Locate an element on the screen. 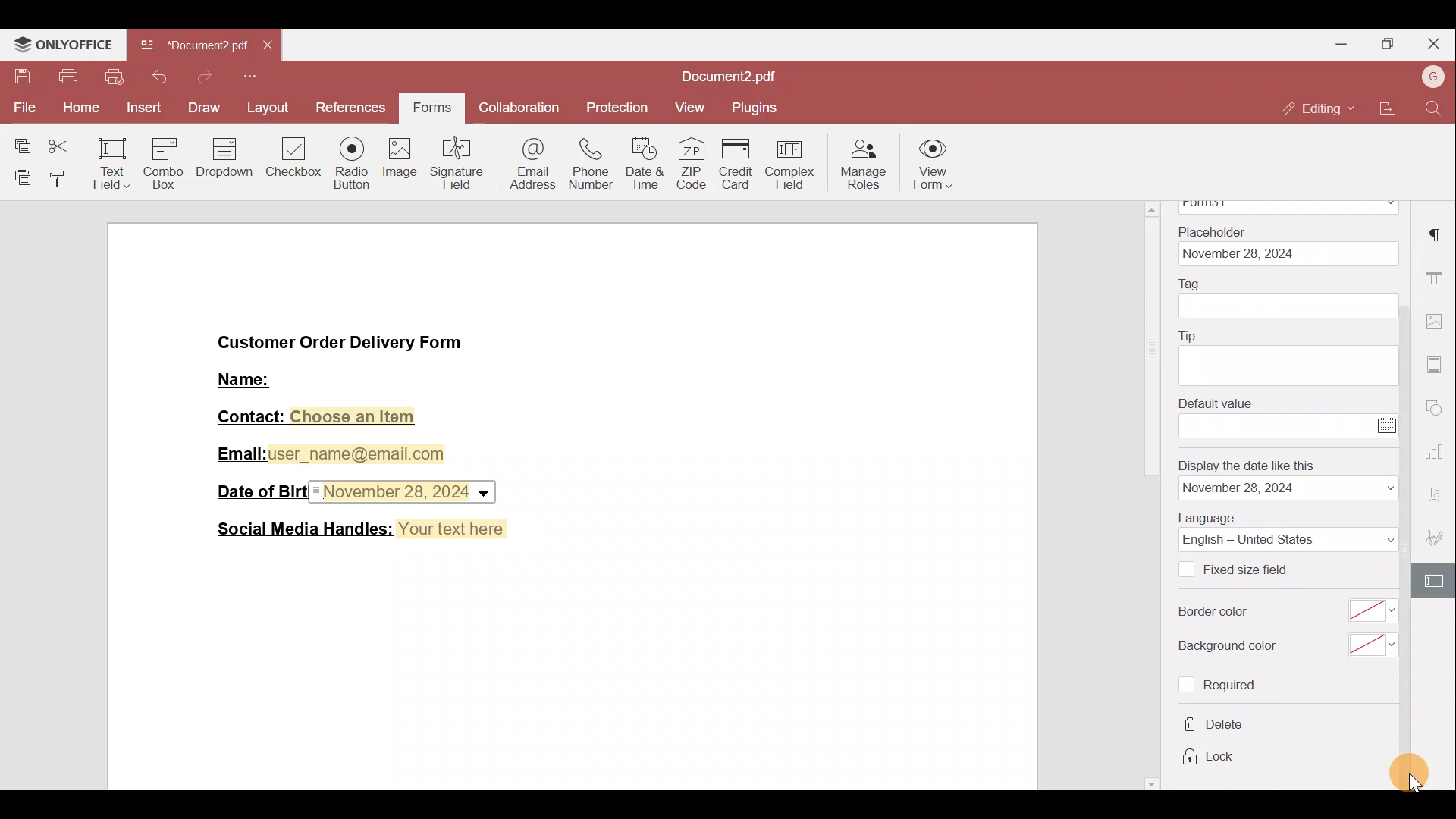 This screenshot has width=1456, height=819. Contact: Choose an item is located at coordinates (318, 418).